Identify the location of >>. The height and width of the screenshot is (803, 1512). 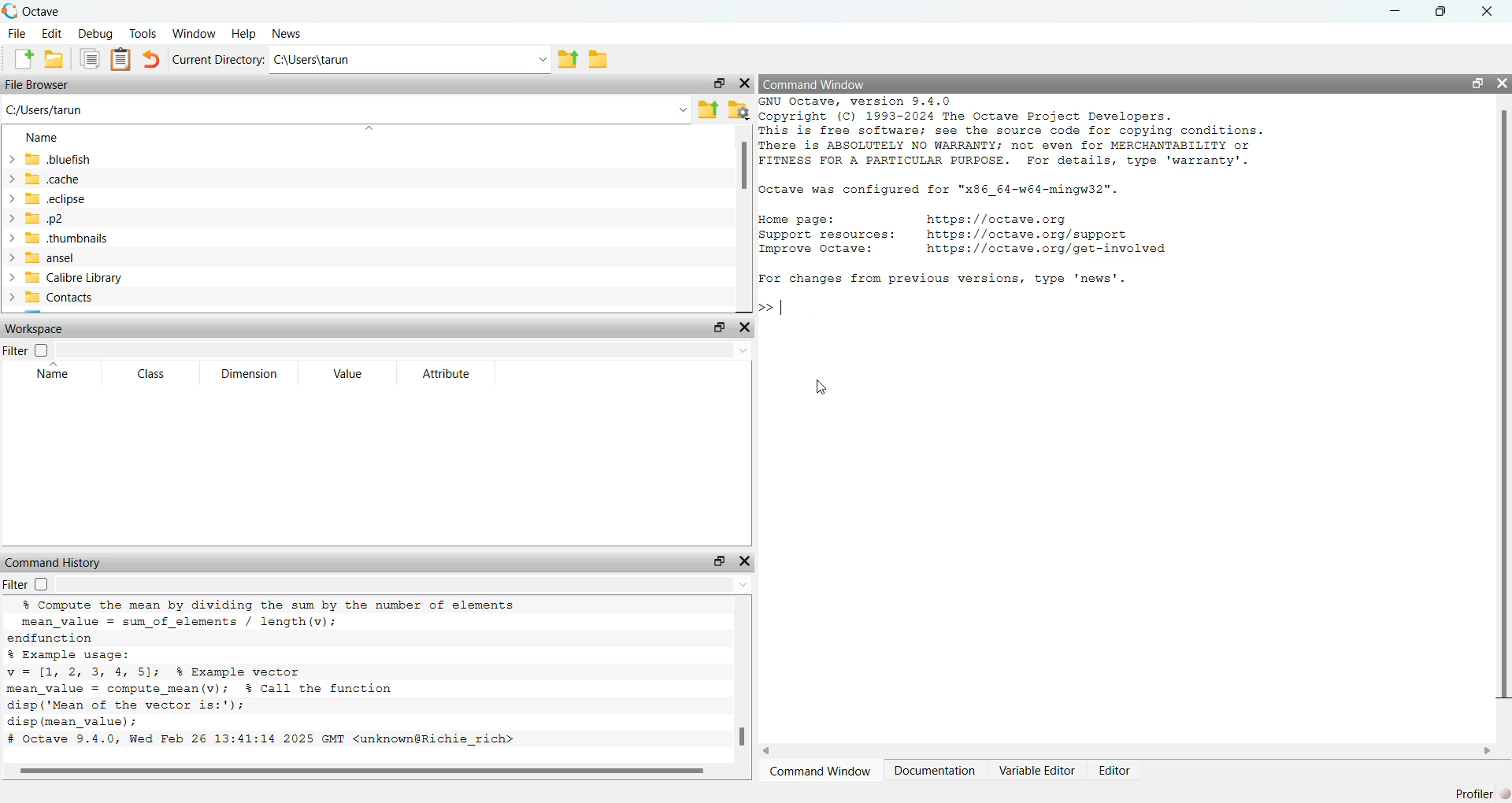
(765, 308).